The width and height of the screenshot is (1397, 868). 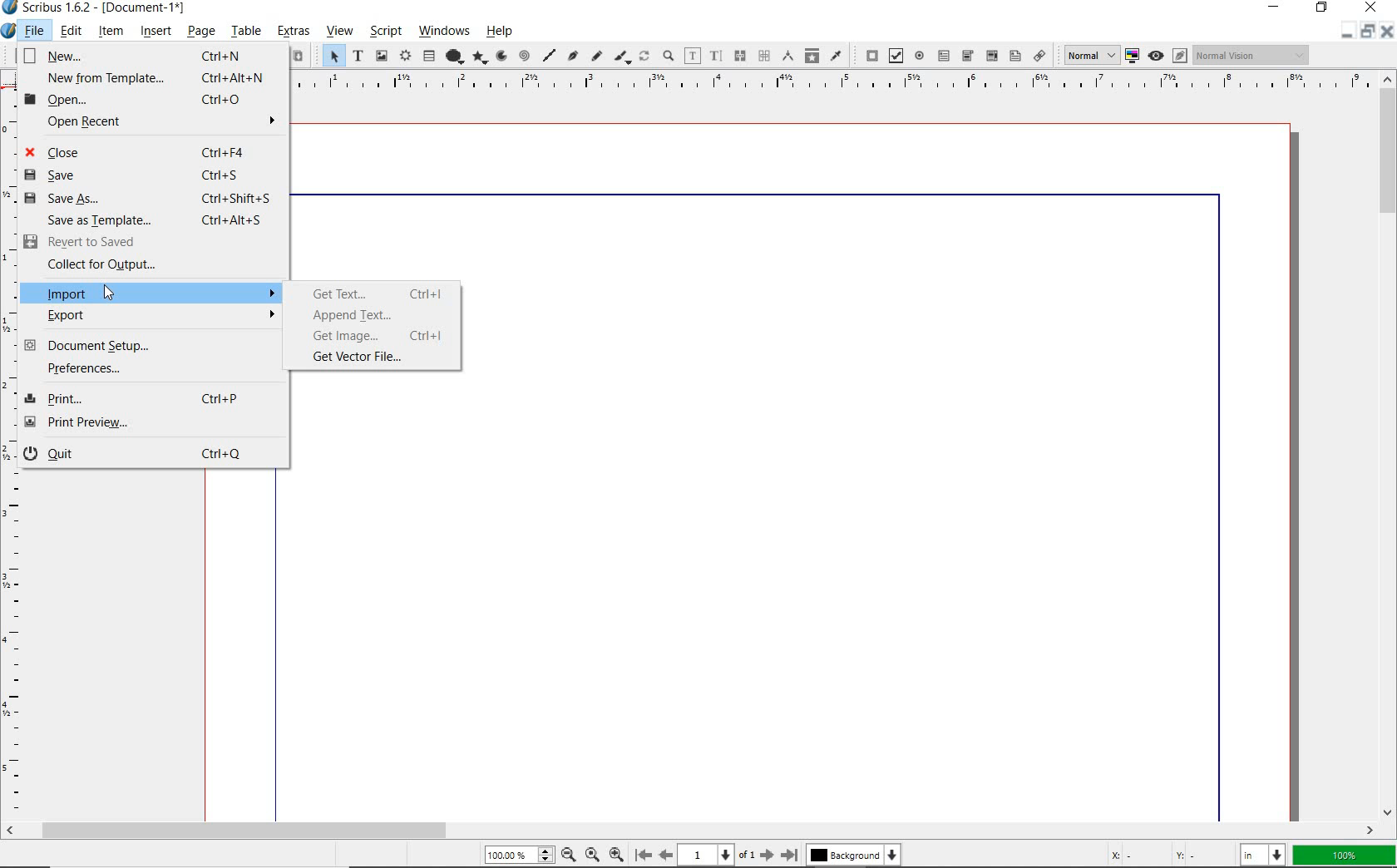 What do you see at coordinates (967, 56) in the screenshot?
I see `pdf combo box` at bounding box center [967, 56].